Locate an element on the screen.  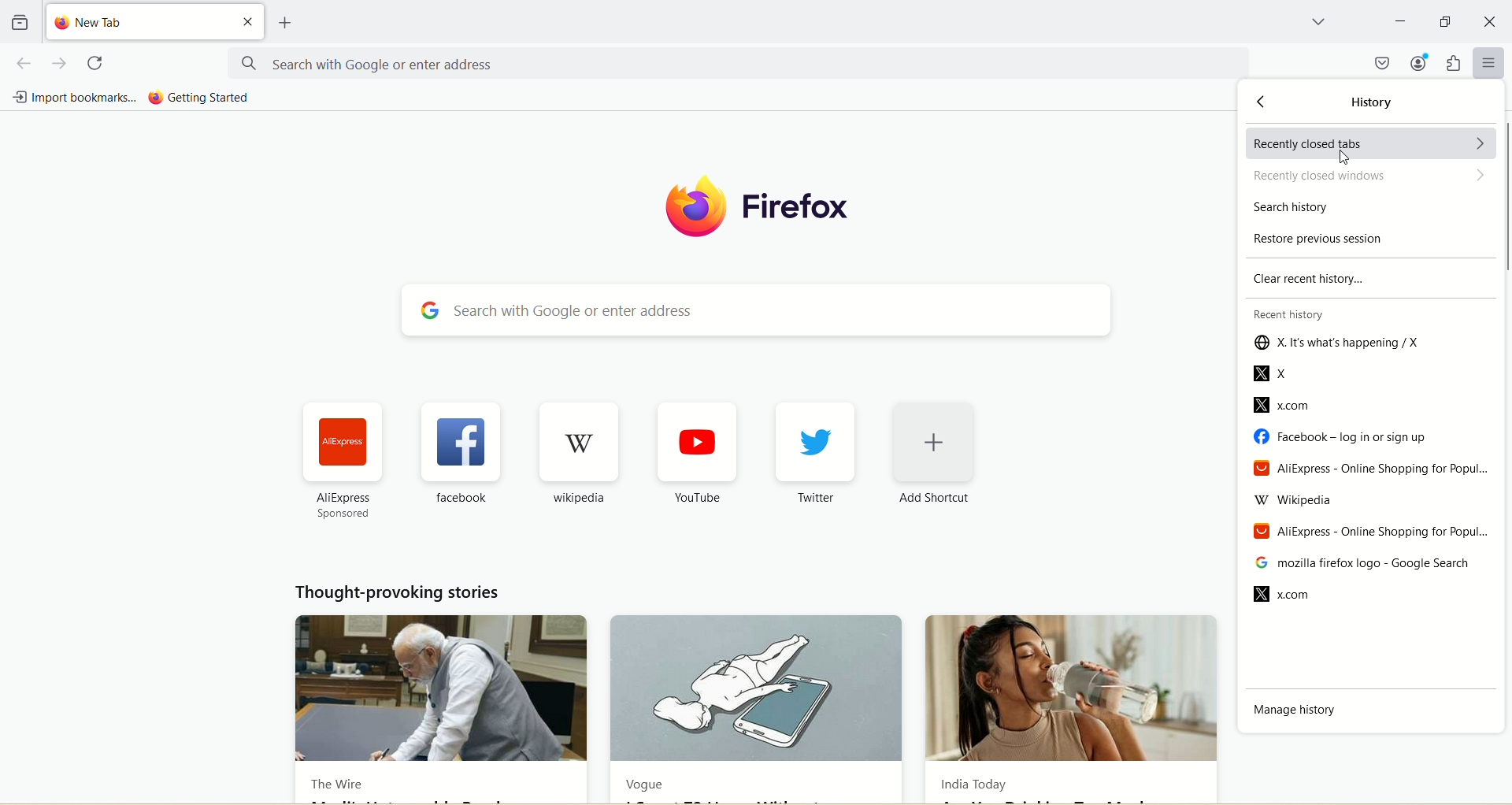
recently closed tabs is located at coordinates (1373, 143).